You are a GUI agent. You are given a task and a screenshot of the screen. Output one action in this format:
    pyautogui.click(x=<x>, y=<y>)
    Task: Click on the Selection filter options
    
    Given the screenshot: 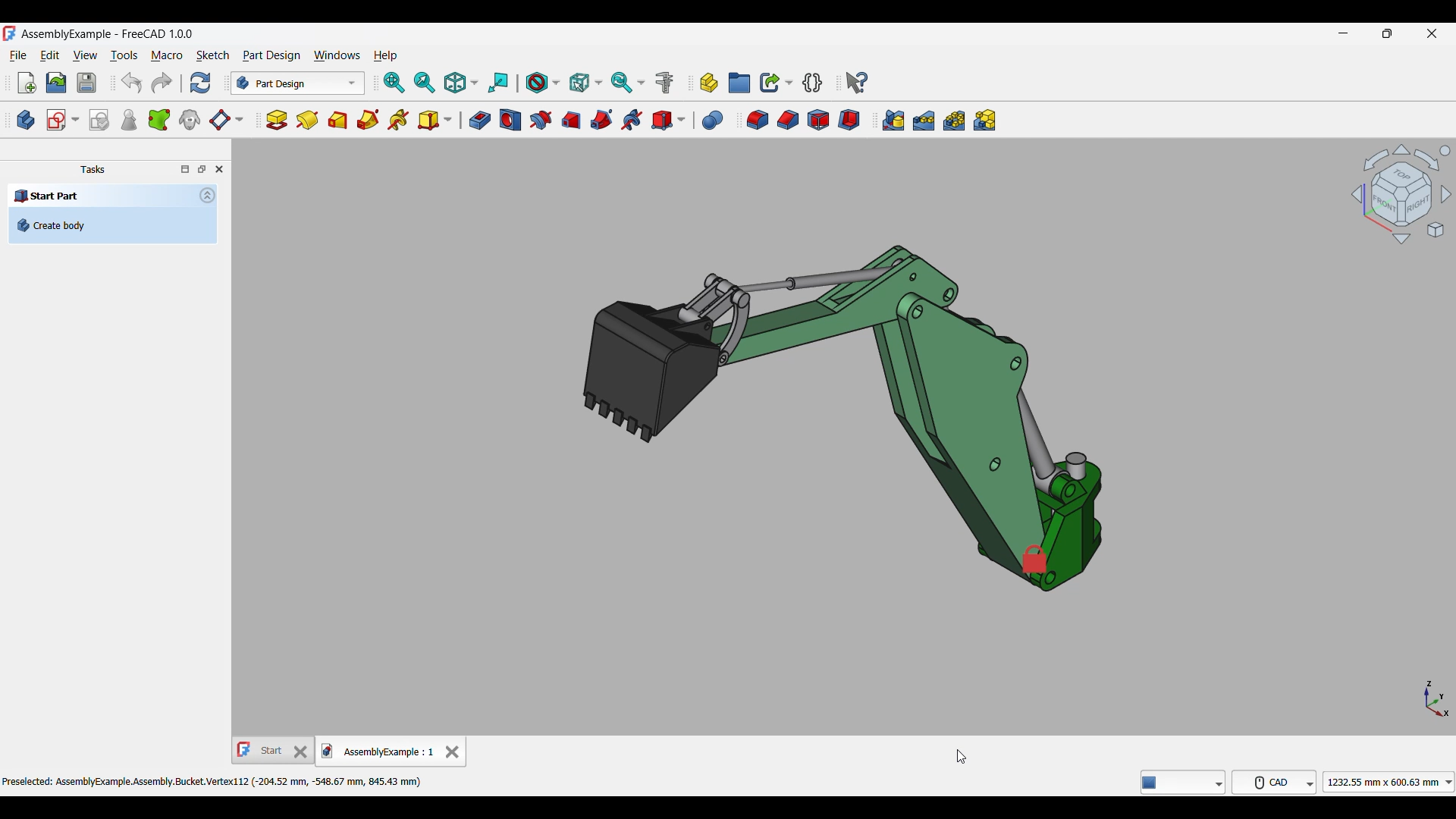 What is the action you would take?
    pyautogui.click(x=585, y=83)
    